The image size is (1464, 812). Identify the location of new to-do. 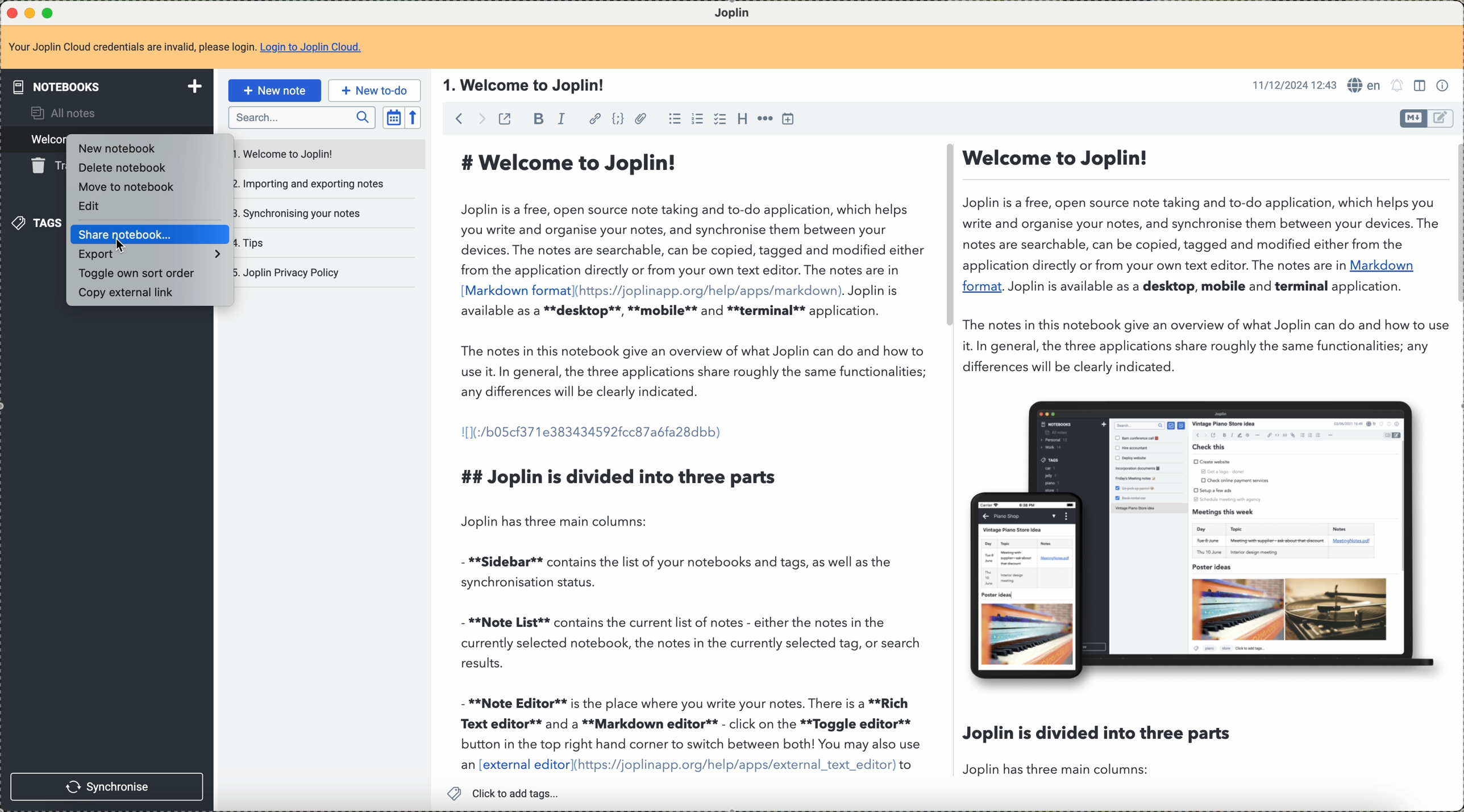
(375, 90).